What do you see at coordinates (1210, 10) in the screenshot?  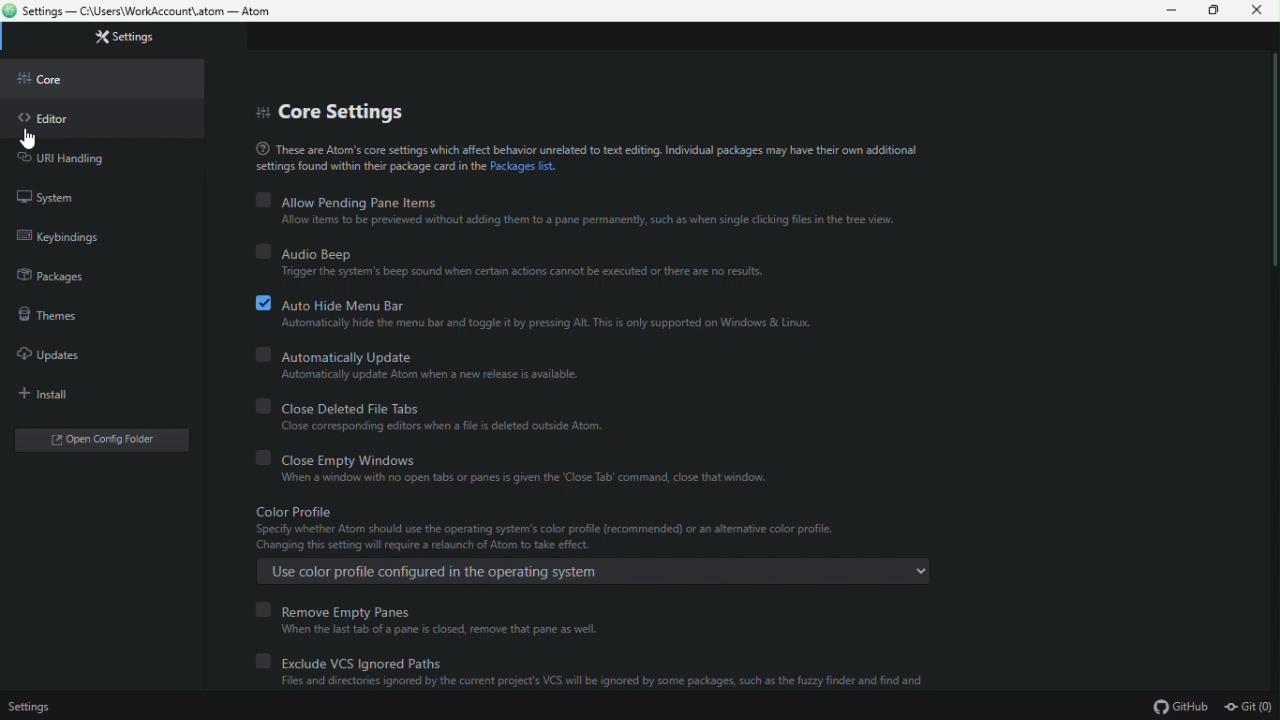 I see `Restore` at bounding box center [1210, 10].